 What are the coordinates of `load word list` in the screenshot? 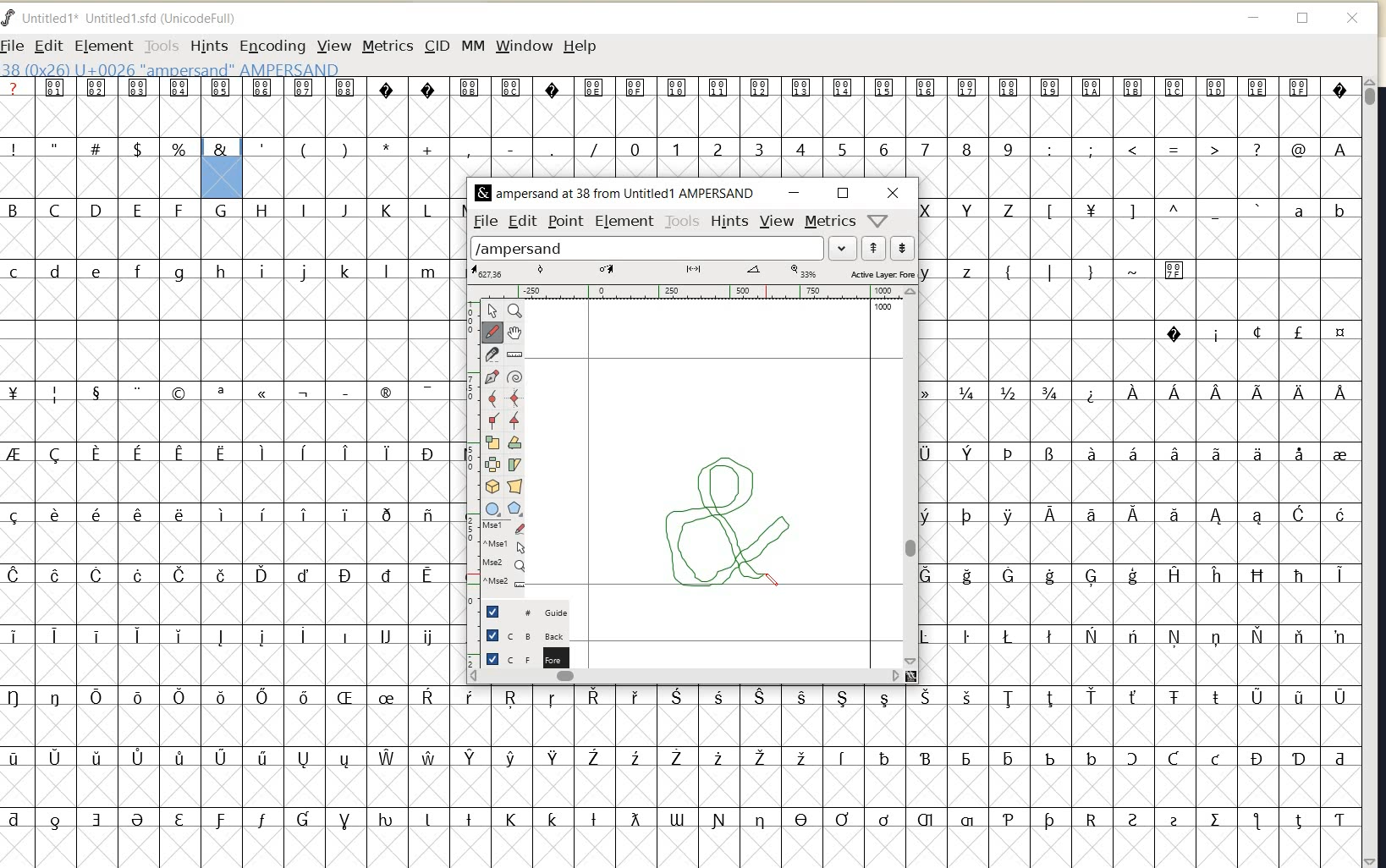 It's located at (646, 247).